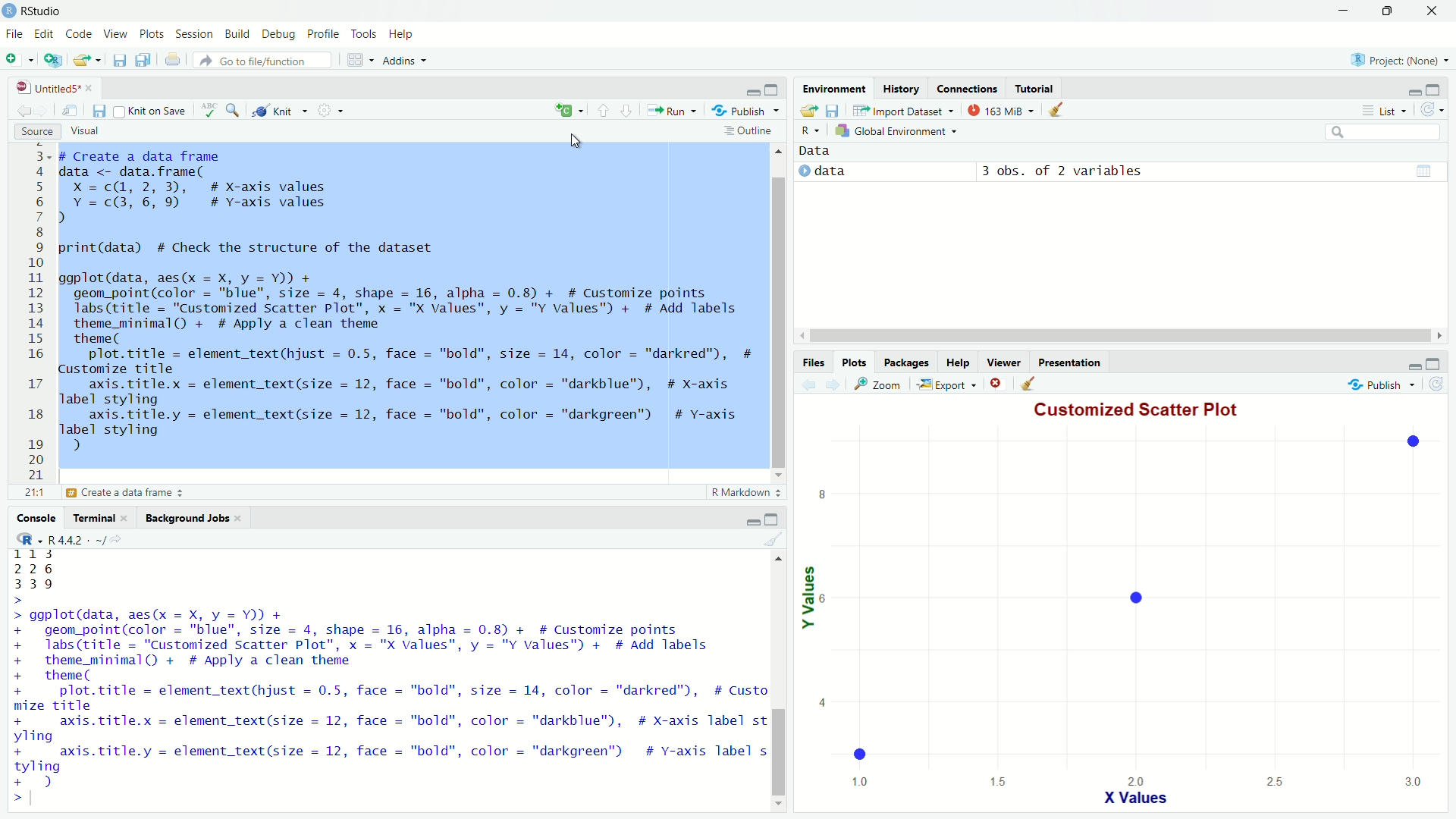 The height and width of the screenshot is (819, 1456). I want to click on Maximize, so click(773, 520).